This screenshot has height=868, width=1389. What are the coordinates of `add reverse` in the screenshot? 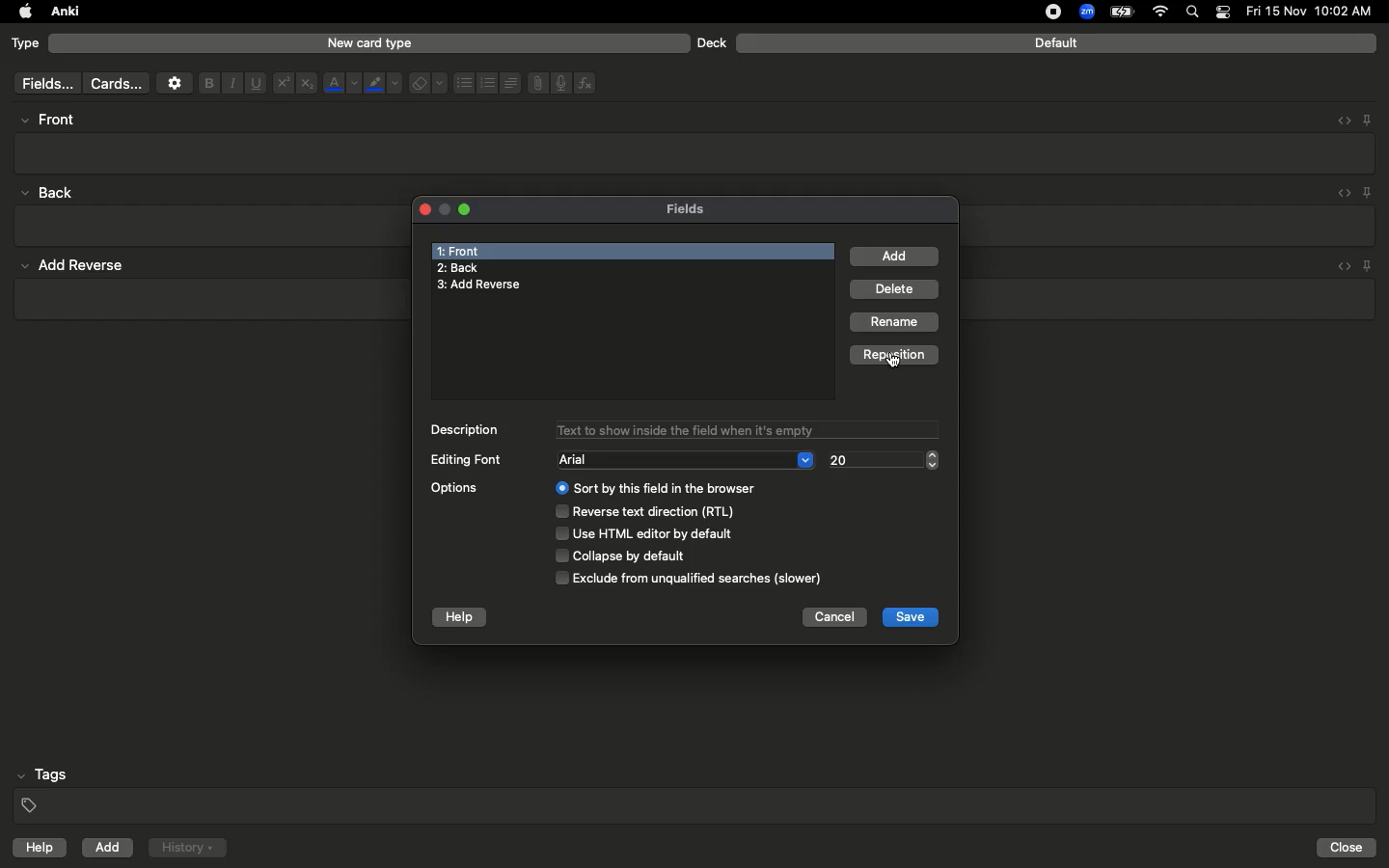 It's located at (81, 266).